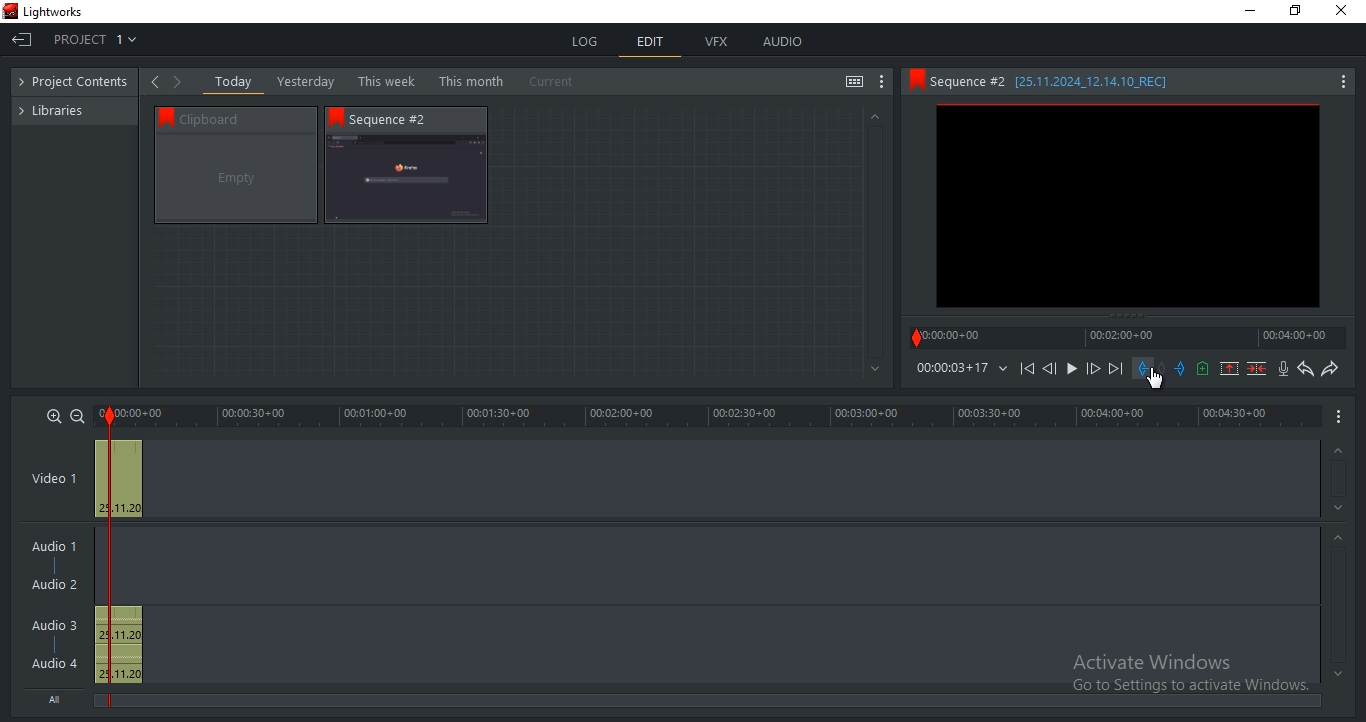 The height and width of the screenshot is (722, 1366). I want to click on Greyed out up arrow, so click(1336, 452).